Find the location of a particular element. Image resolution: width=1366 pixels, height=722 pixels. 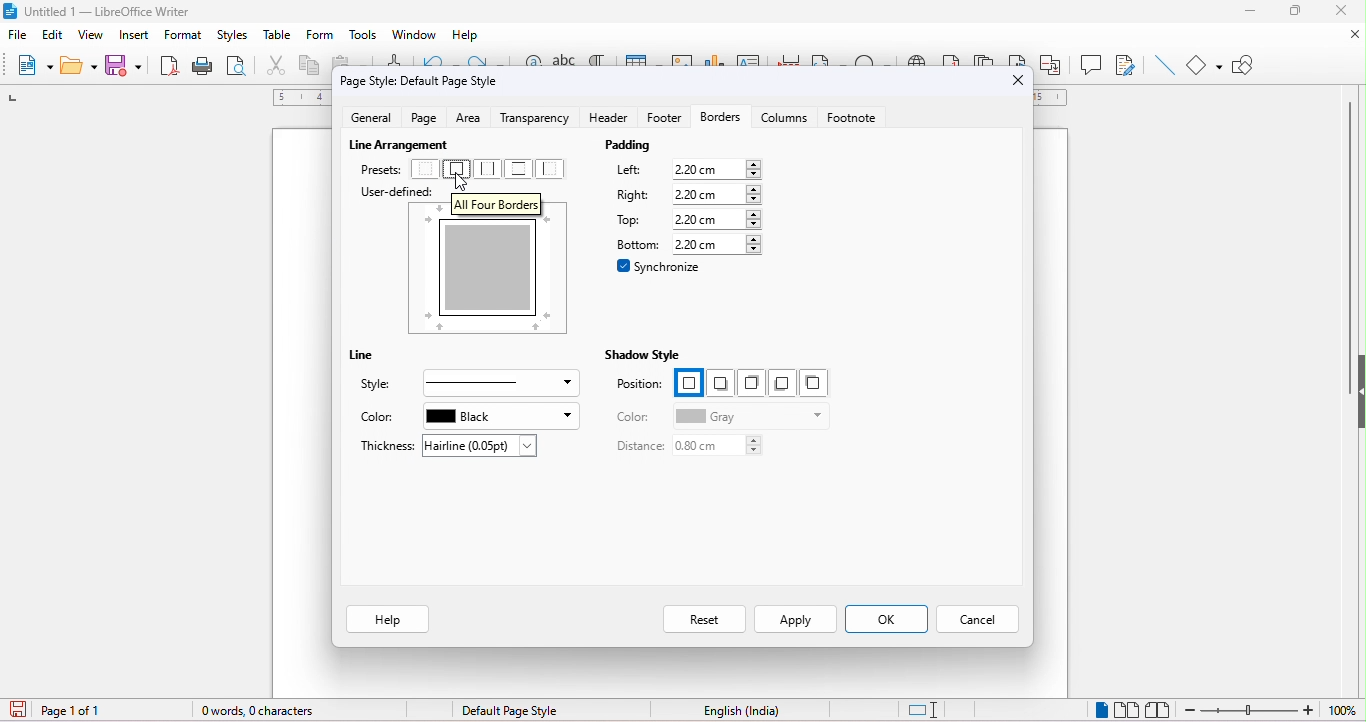

minimize is located at coordinates (1243, 8).